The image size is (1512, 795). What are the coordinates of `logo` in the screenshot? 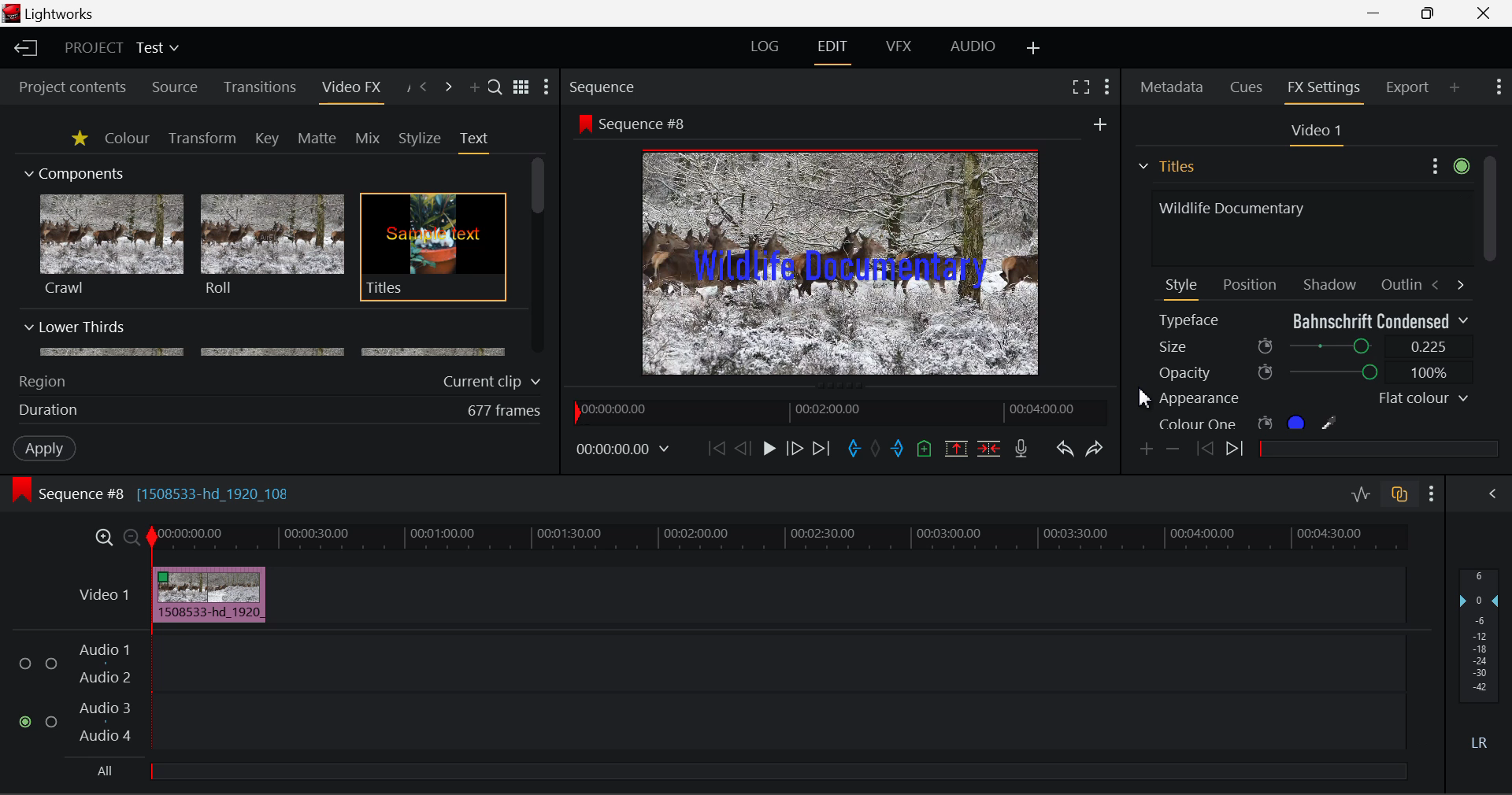 It's located at (13, 13).